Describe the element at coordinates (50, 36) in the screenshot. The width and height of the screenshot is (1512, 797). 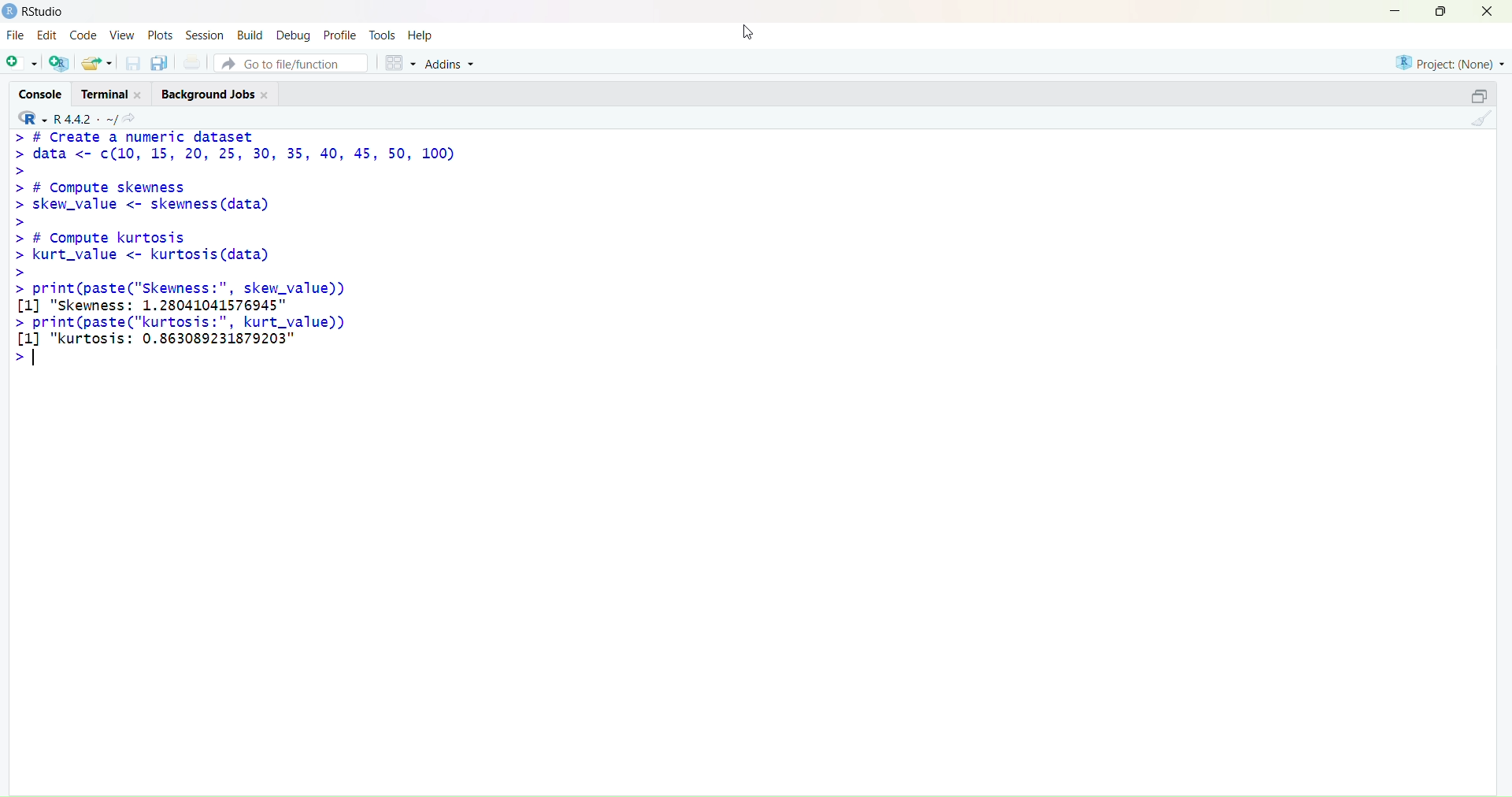
I see `Edit` at that location.